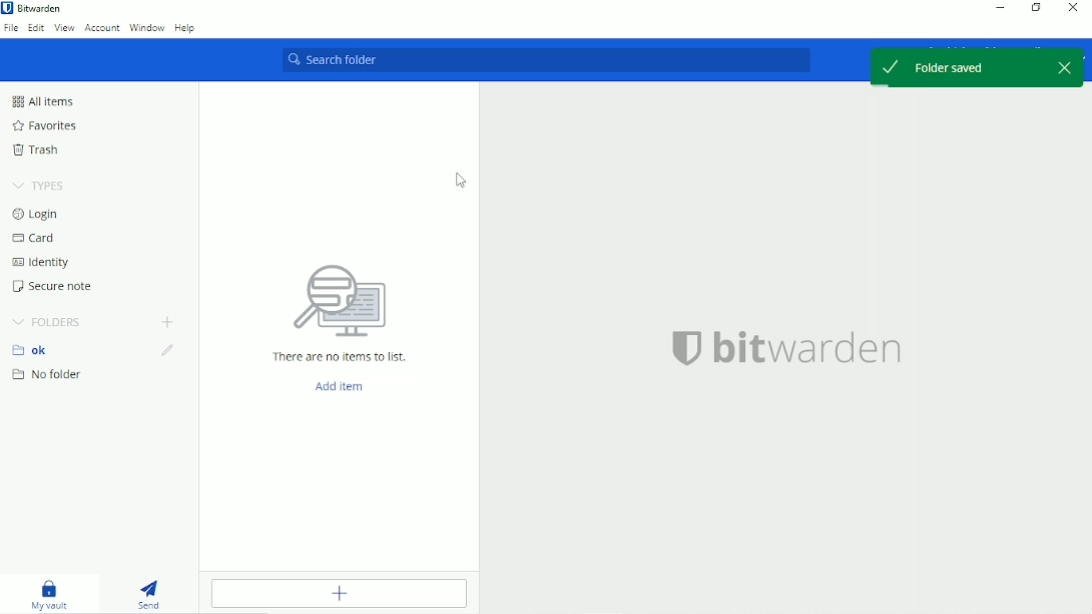 The height and width of the screenshot is (614, 1092). I want to click on bitwarden logo, so click(679, 346).